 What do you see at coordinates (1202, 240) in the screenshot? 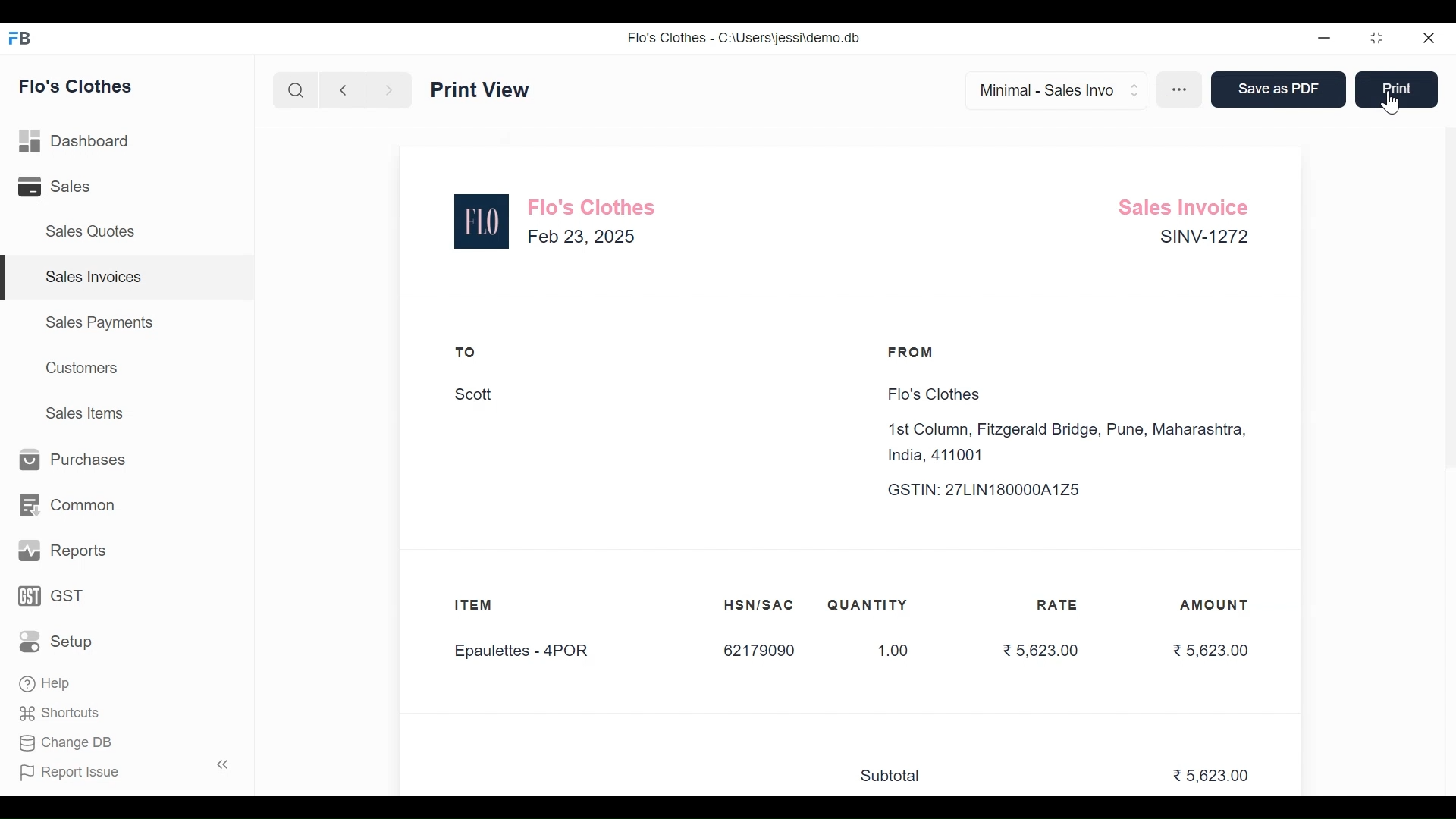
I see `SINV-1272` at bounding box center [1202, 240].